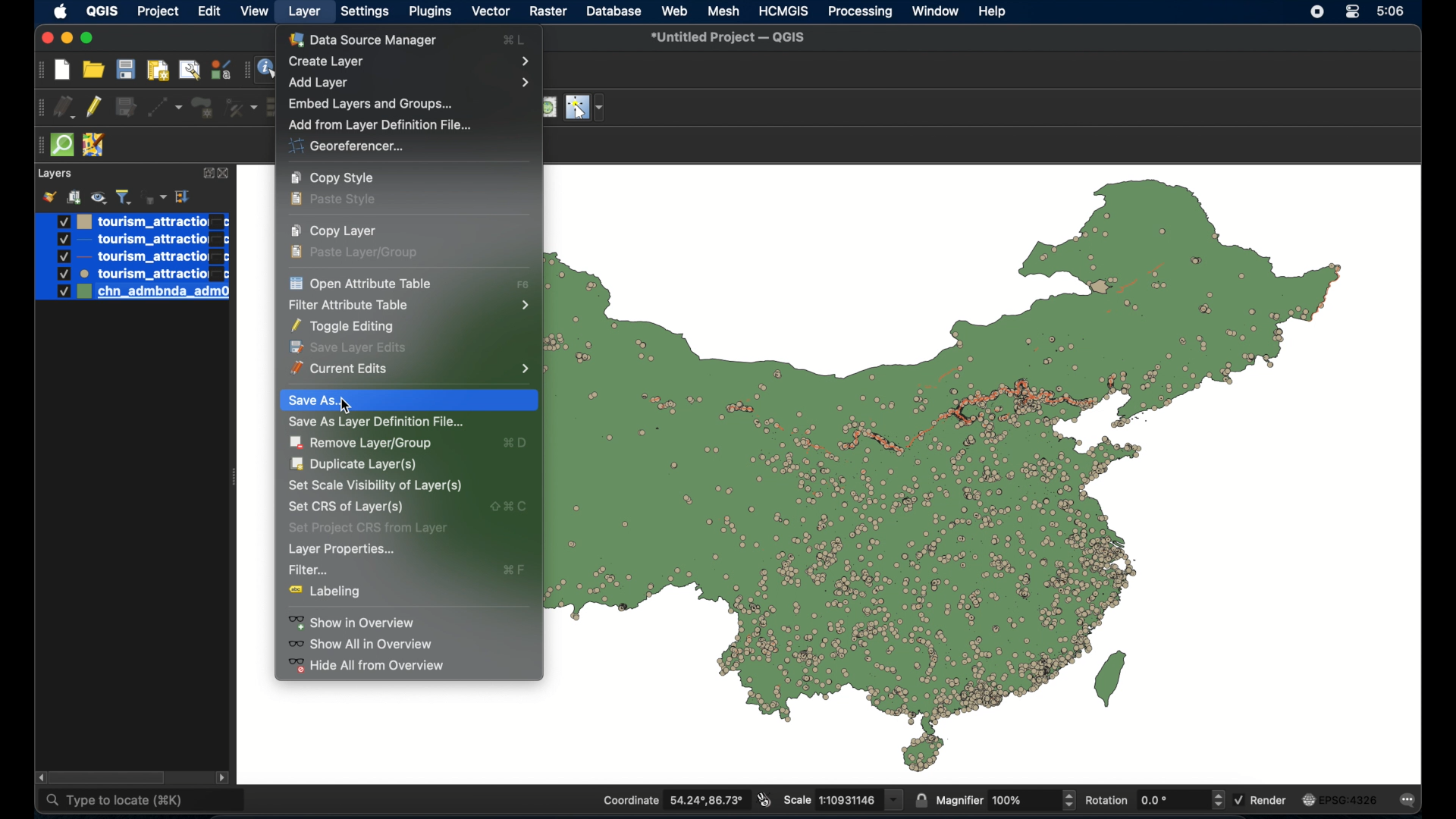  What do you see at coordinates (357, 282) in the screenshot?
I see `open attribute table` at bounding box center [357, 282].